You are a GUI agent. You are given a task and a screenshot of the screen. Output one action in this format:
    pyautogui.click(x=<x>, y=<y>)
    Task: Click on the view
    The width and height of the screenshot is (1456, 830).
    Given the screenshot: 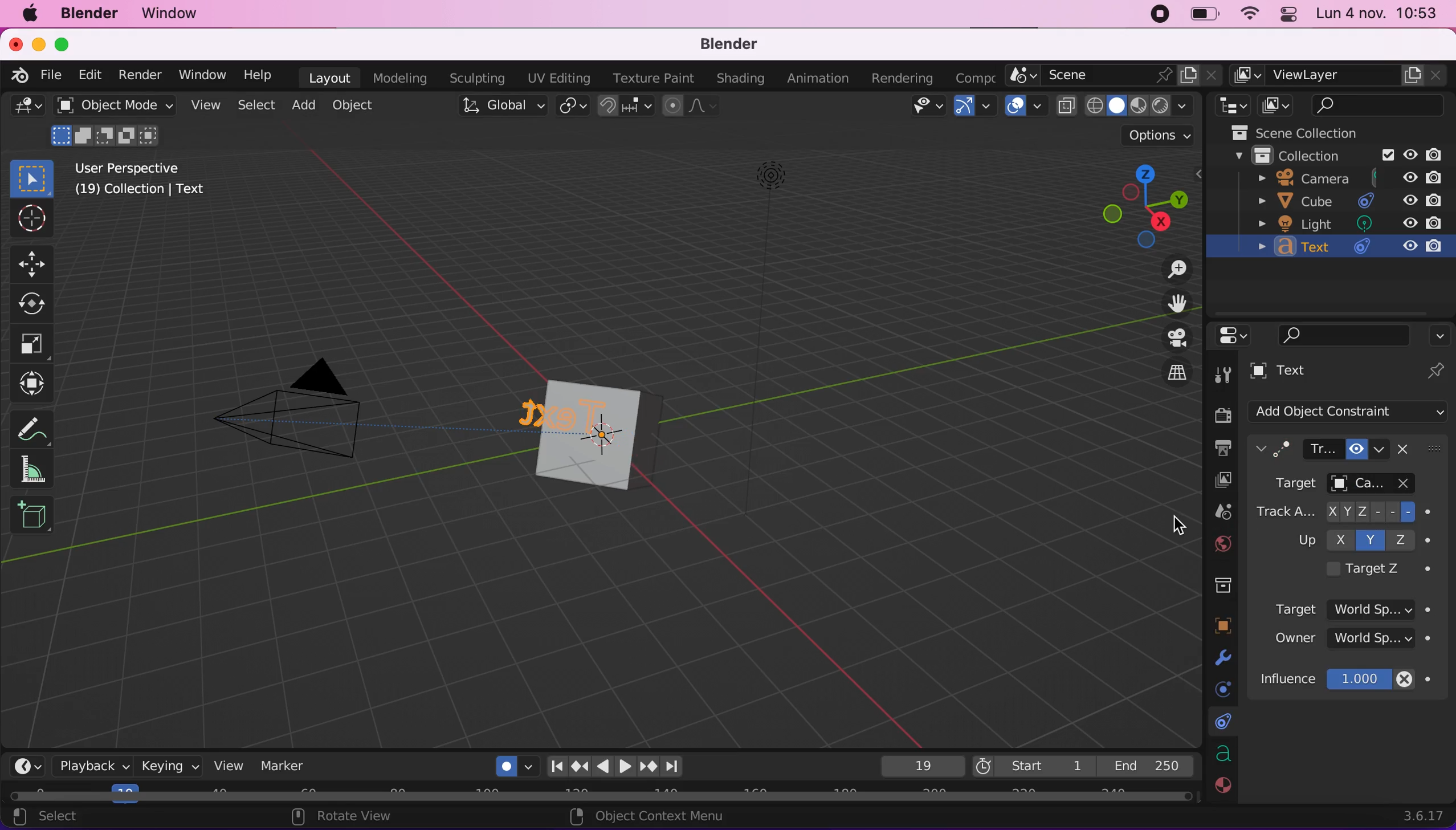 What is the action you would take?
    pyautogui.click(x=227, y=765)
    